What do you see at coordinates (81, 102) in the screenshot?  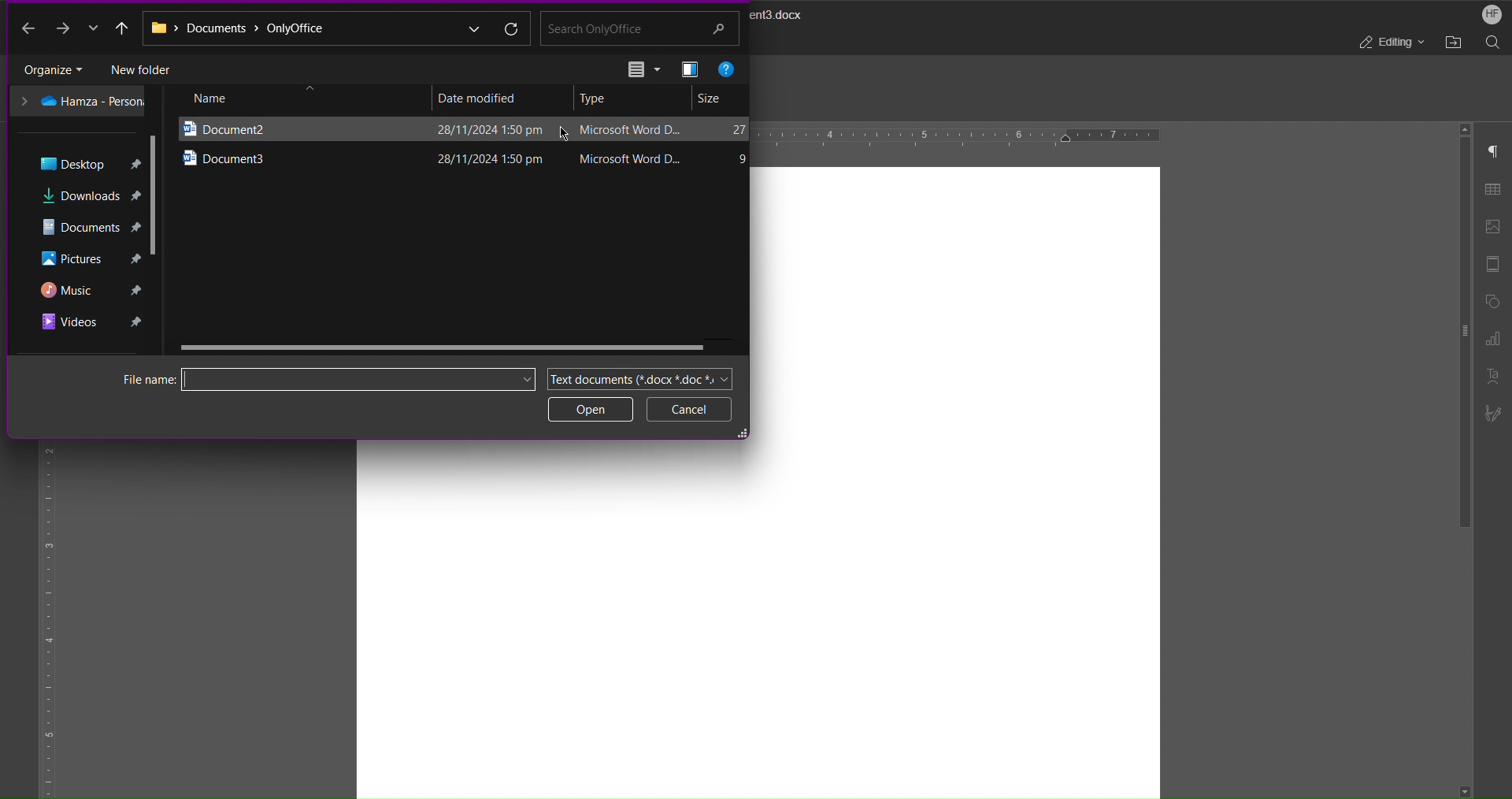 I see `Hamza - Personal` at bounding box center [81, 102].